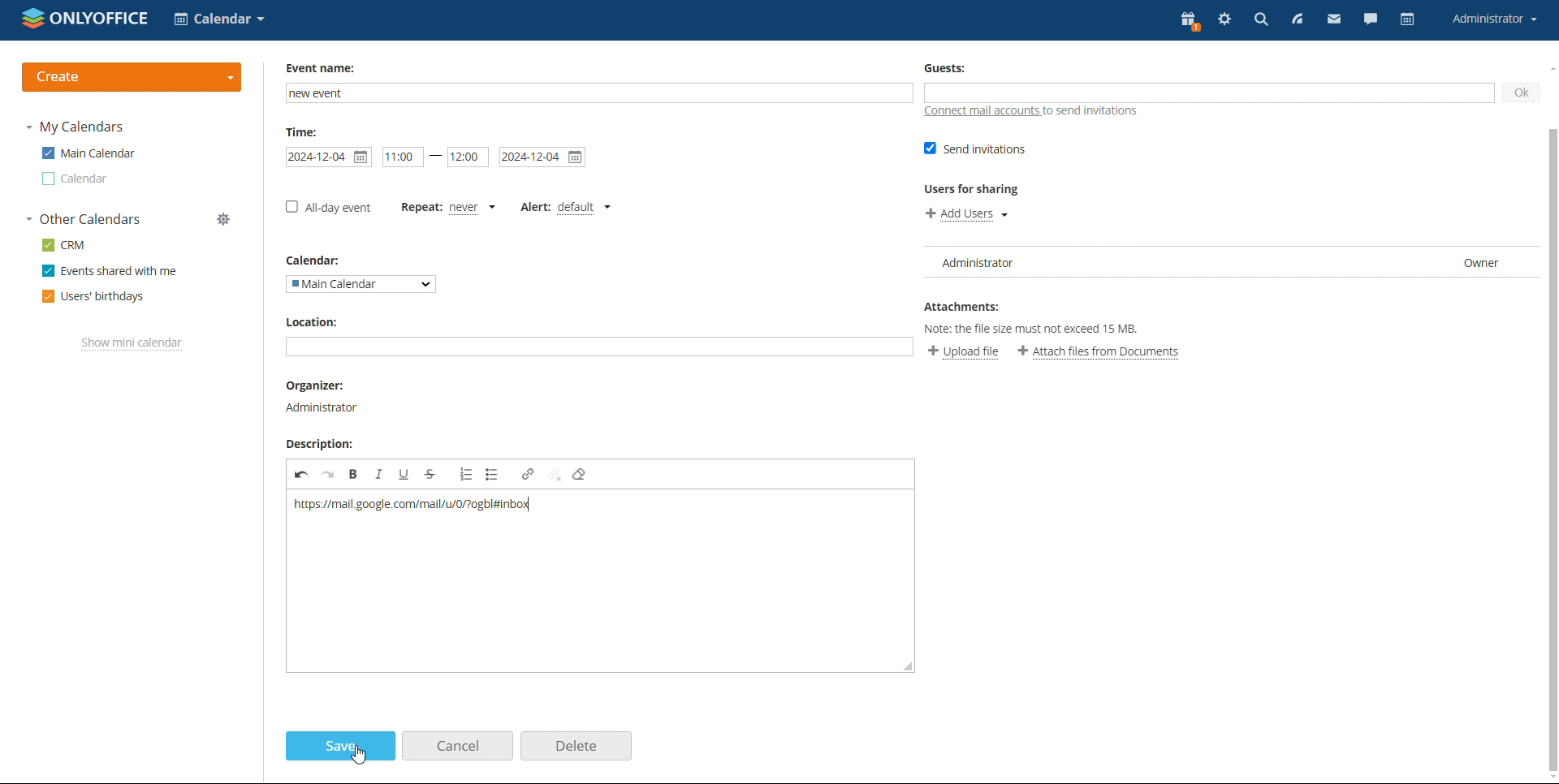 The width and height of the screenshot is (1559, 784). What do you see at coordinates (963, 215) in the screenshot?
I see `add users` at bounding box center [963, 215].